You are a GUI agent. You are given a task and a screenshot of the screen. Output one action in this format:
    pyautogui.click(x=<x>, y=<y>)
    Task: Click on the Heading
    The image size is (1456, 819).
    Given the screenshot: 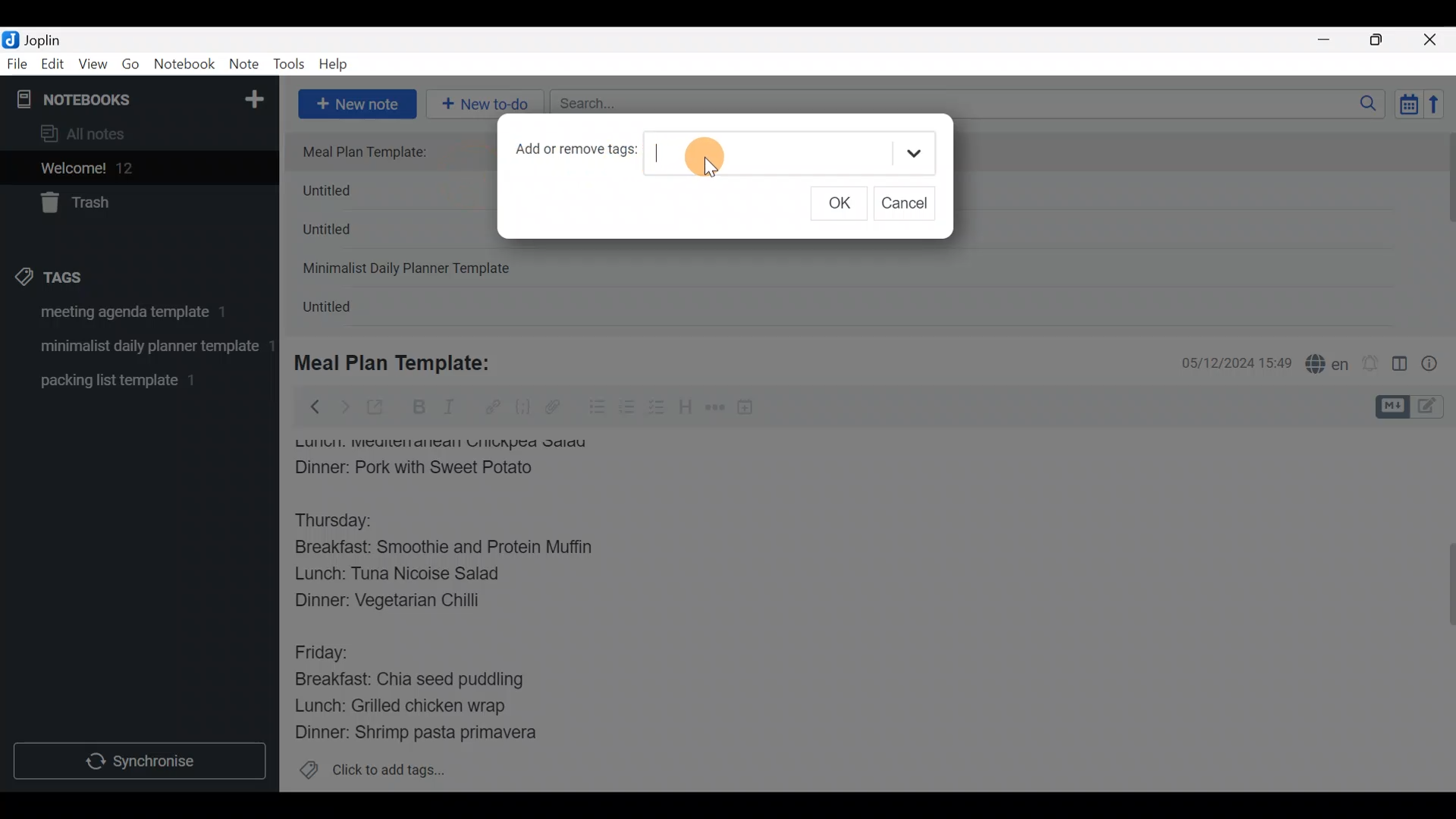 What is the action you would take?
    pyautogui.click(x=686, y=409)
    